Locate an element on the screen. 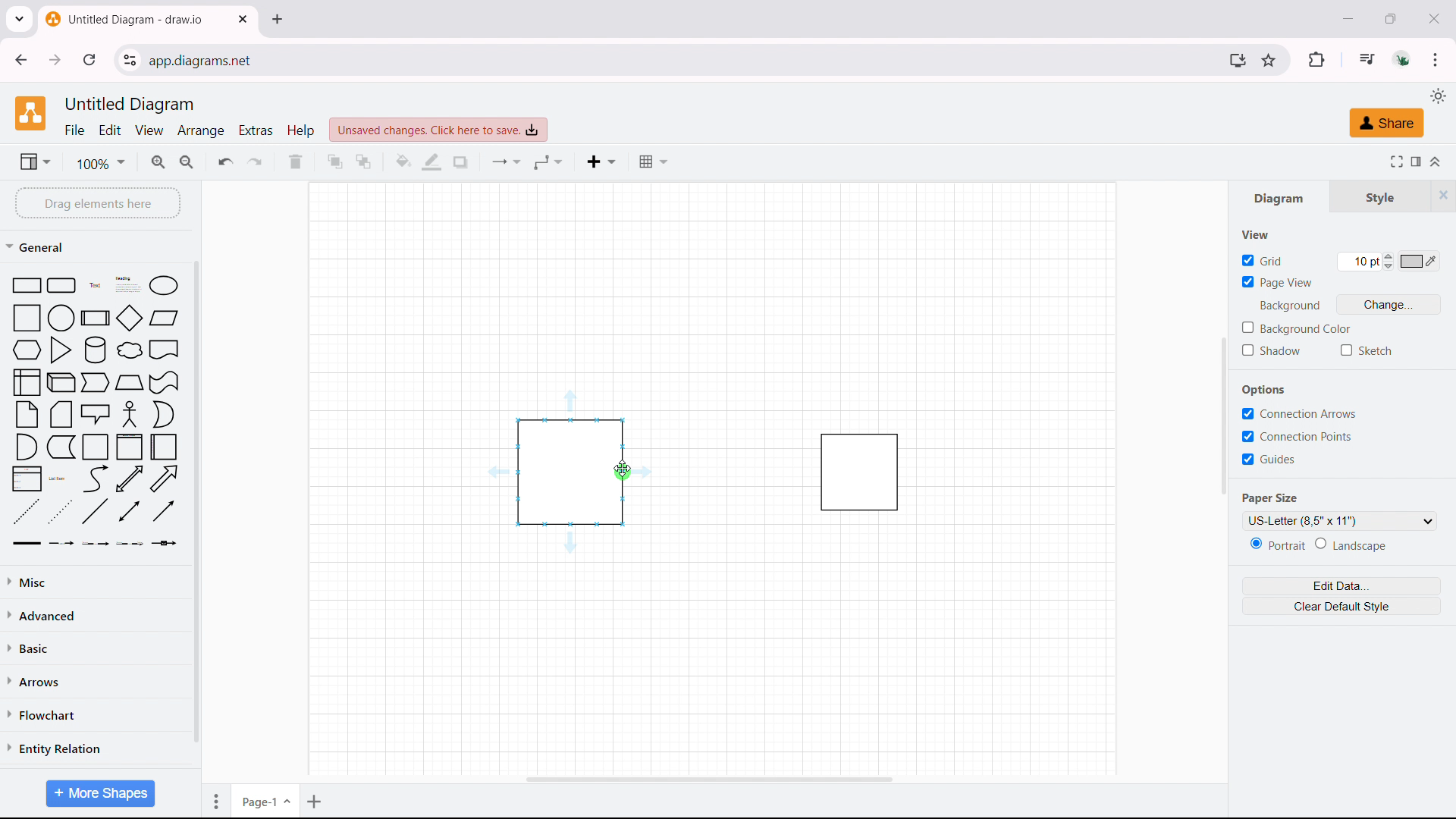  view is located at coordinates (150, 131).